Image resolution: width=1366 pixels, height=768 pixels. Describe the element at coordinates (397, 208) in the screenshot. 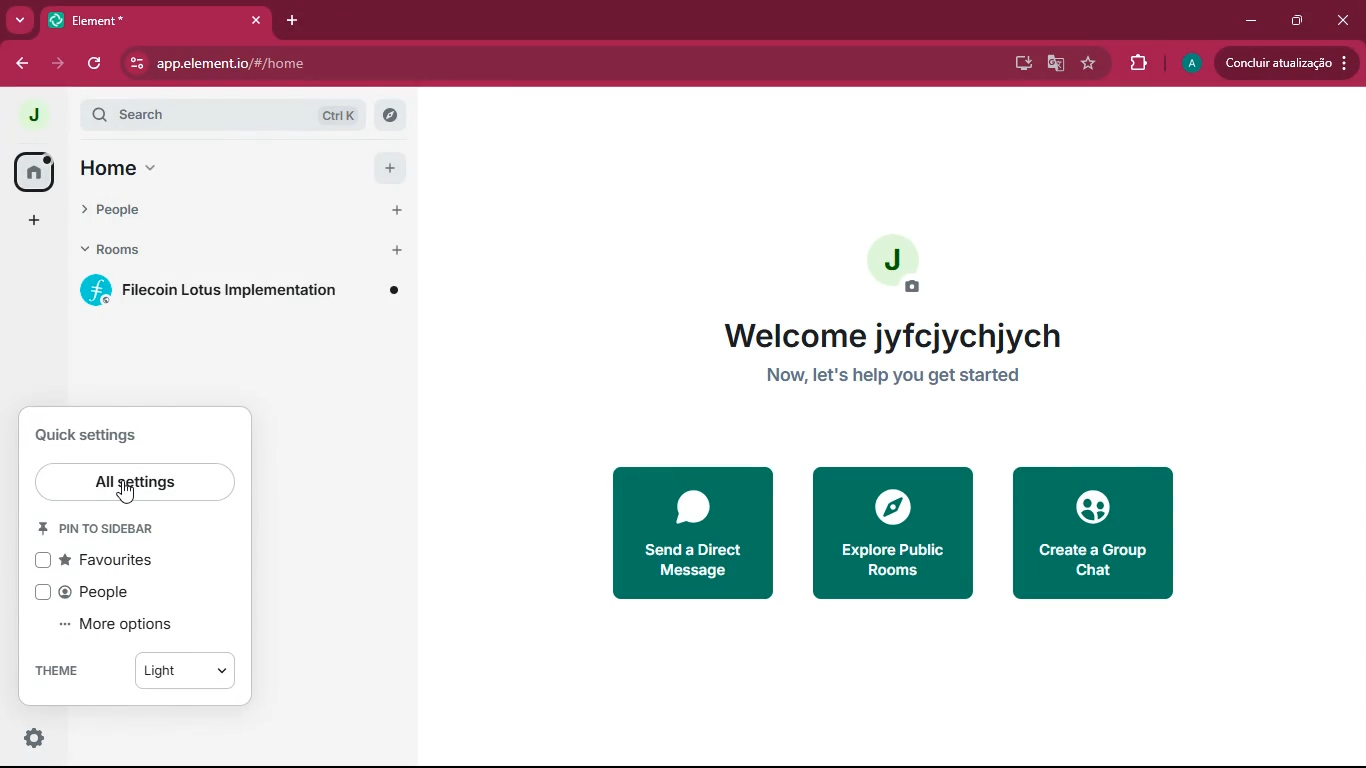

I see `add button` at that location.